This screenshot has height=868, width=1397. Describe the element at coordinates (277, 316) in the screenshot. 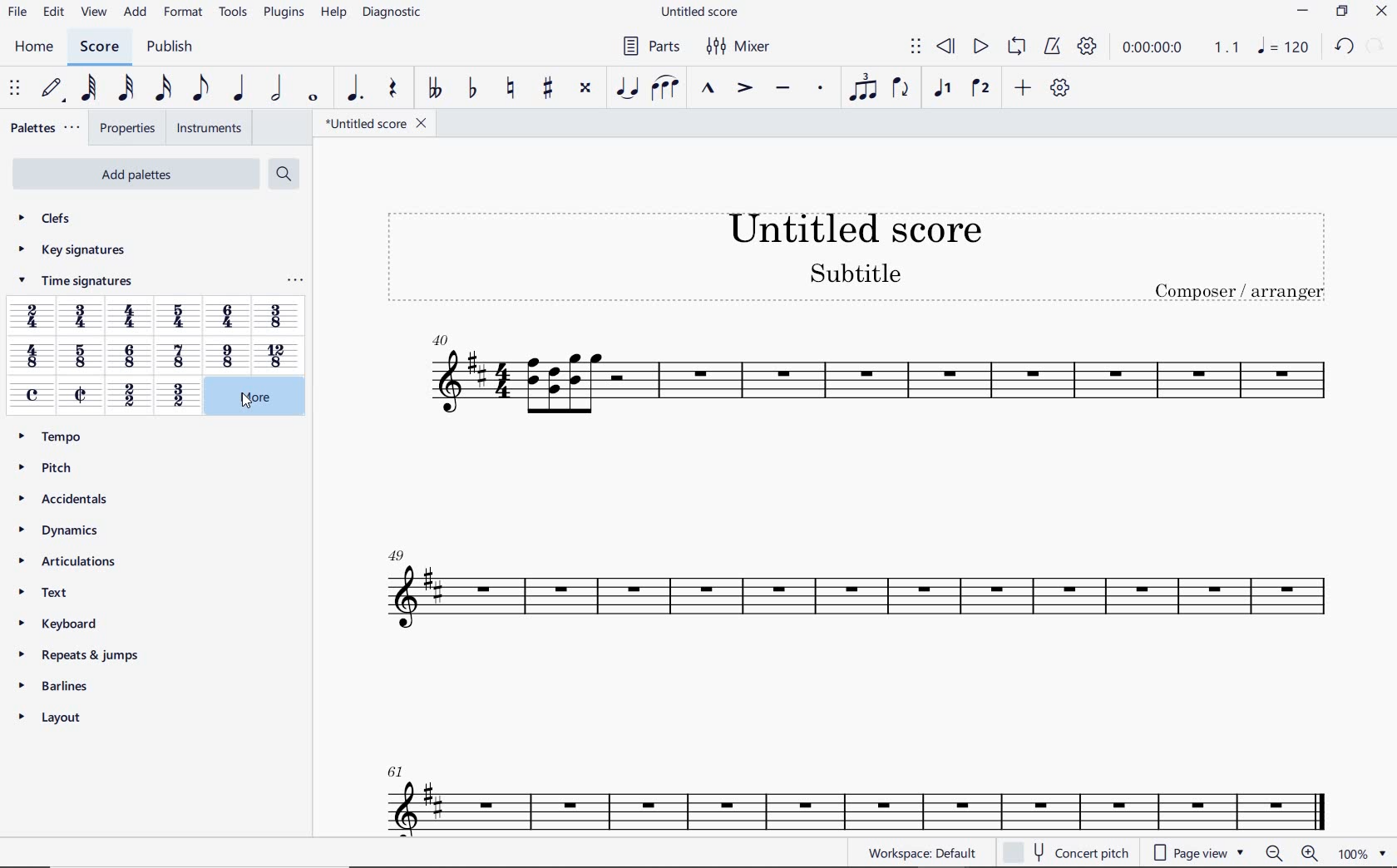

I see `3/8` at that location.